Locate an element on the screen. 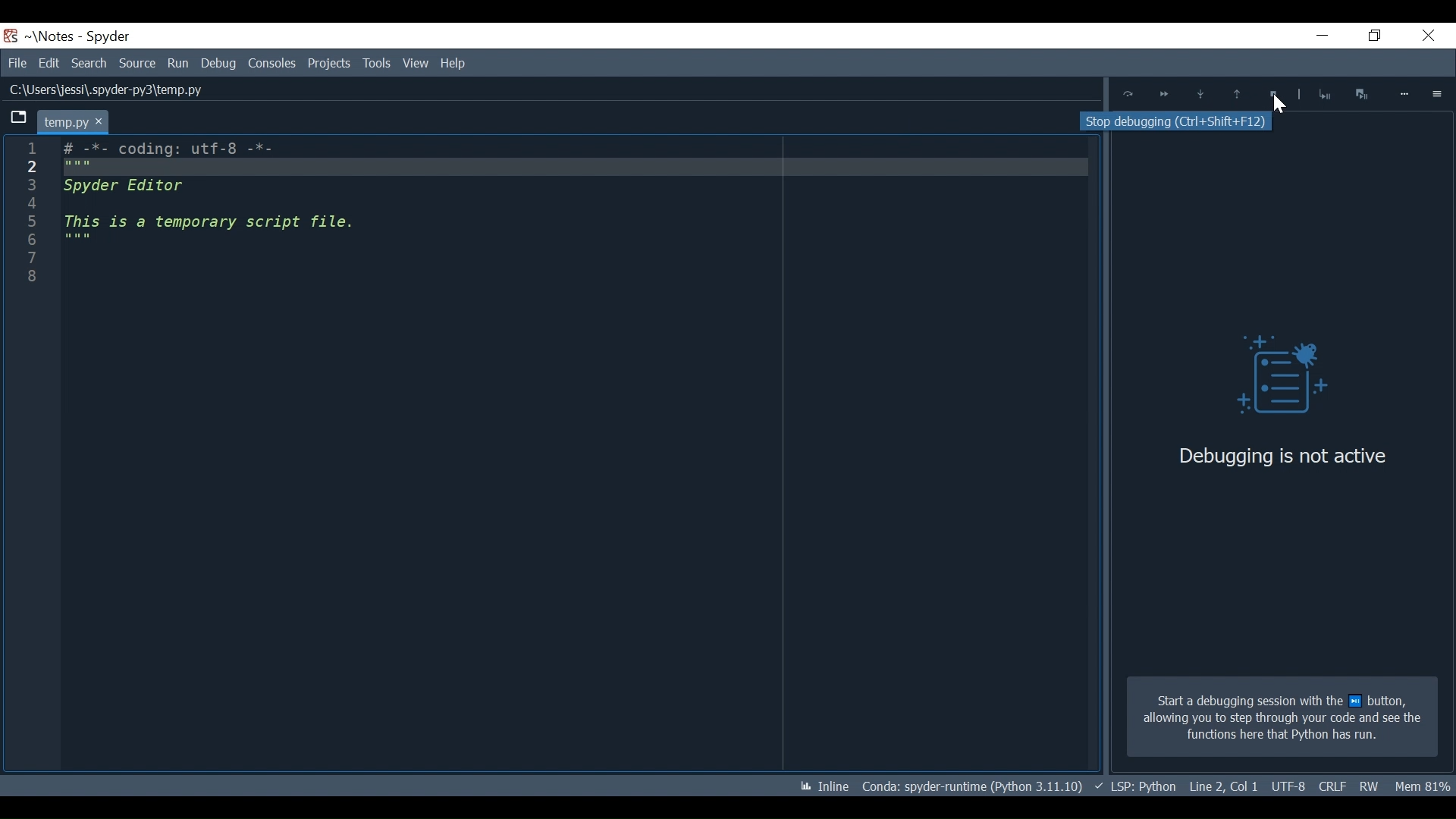 The image size is (1456, 819). File Encoding is located at coordinates (1332, 787).